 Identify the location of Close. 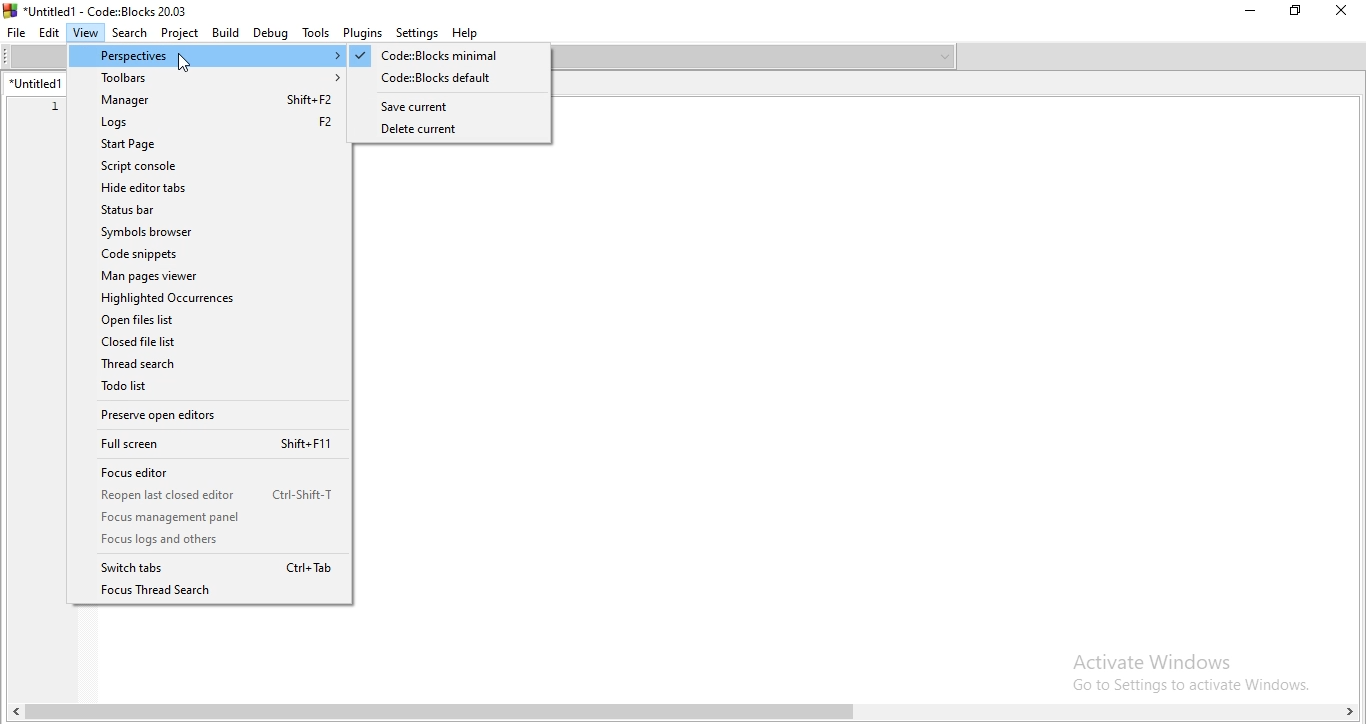
(1337, 14).